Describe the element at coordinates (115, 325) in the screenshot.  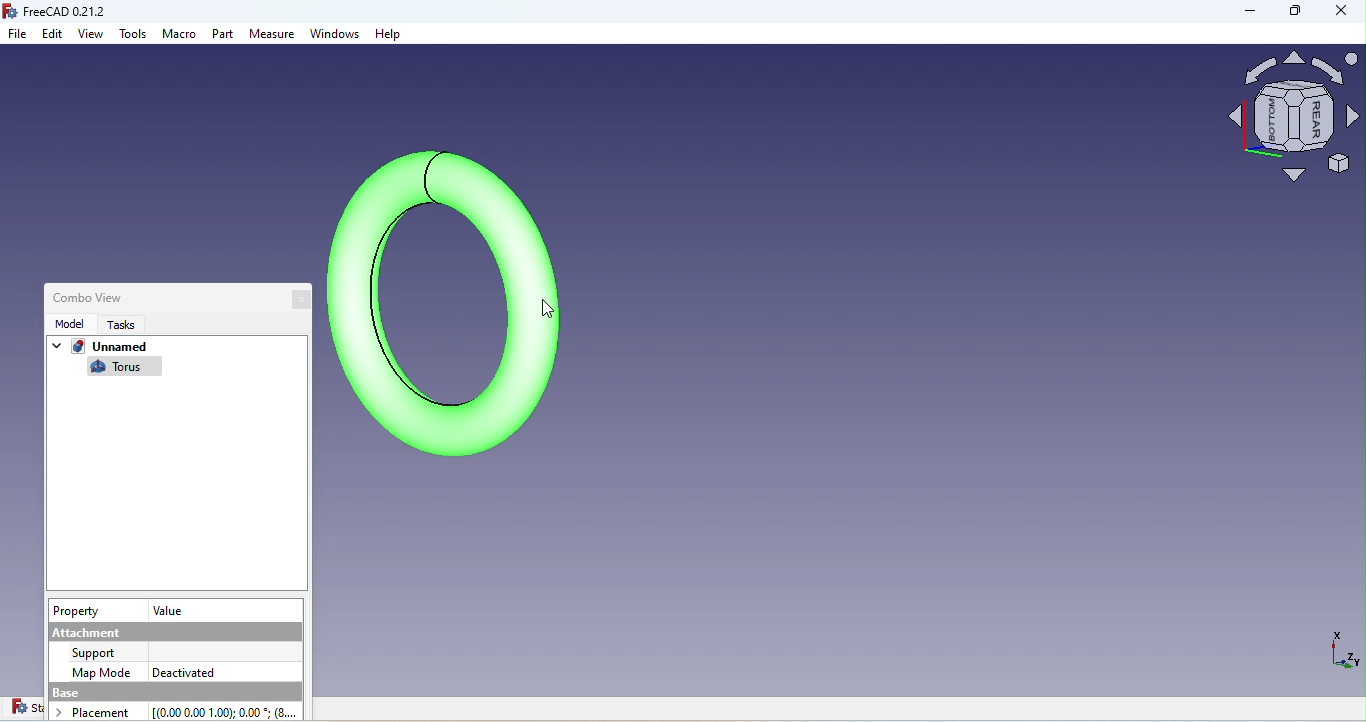
I see `Tasks` at that location.